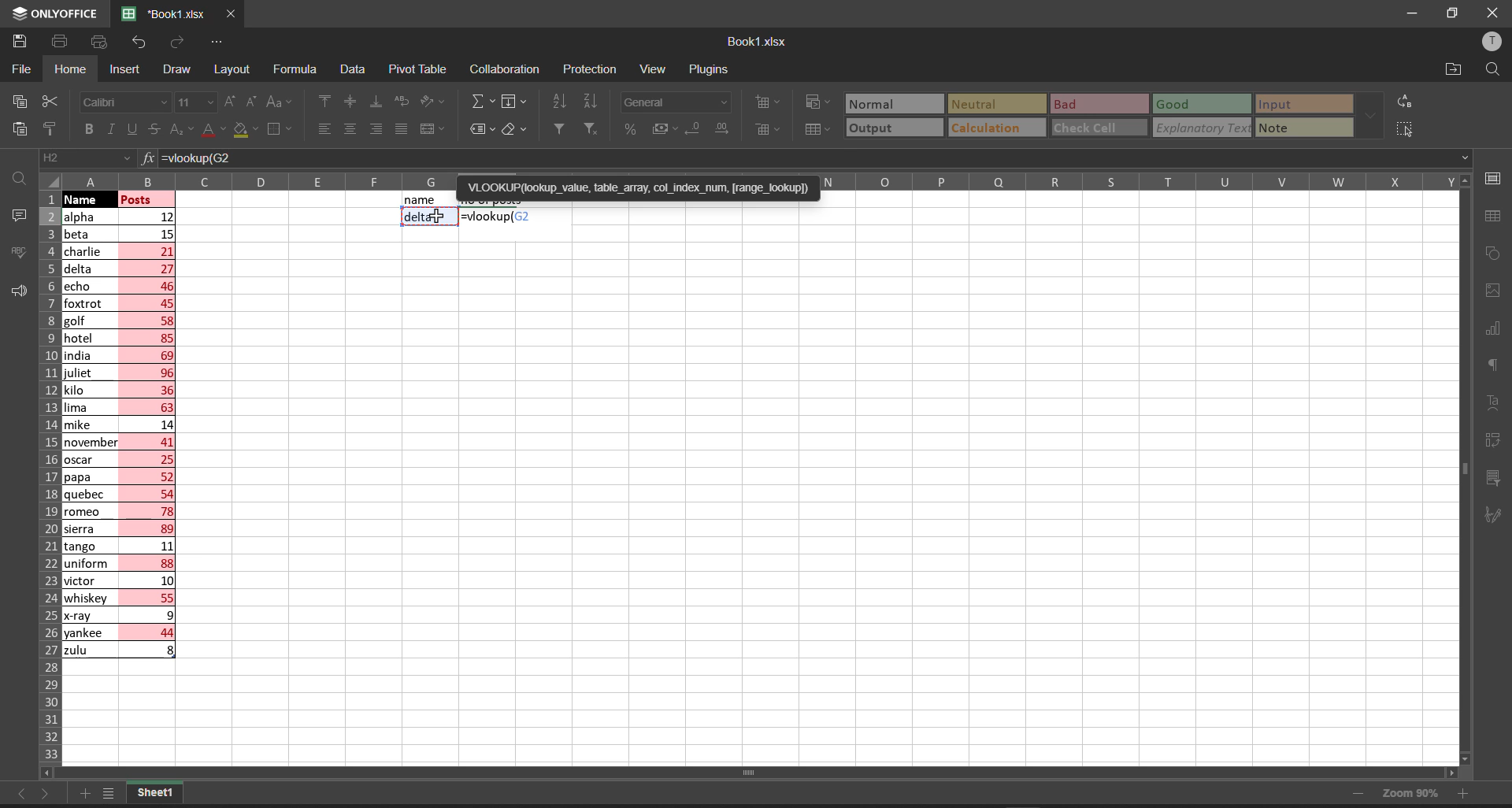 The width and height of the screenshot is (1512, 808). What do you see at coordinates (400, 129) in the screenshot?
I see `justified` at bounding box center [400, 129].